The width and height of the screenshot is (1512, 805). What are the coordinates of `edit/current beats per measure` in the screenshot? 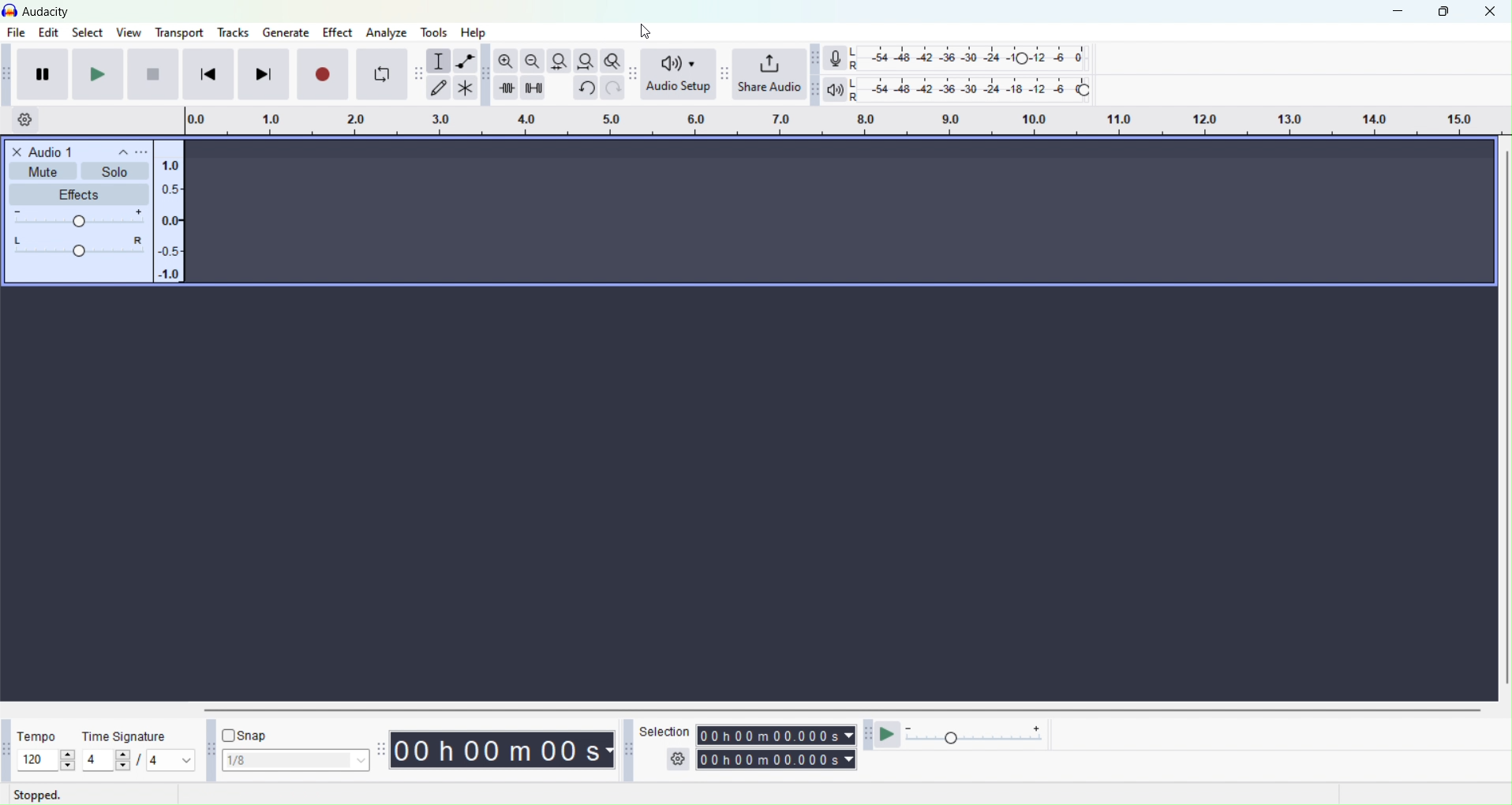 It's located at (95, 759).